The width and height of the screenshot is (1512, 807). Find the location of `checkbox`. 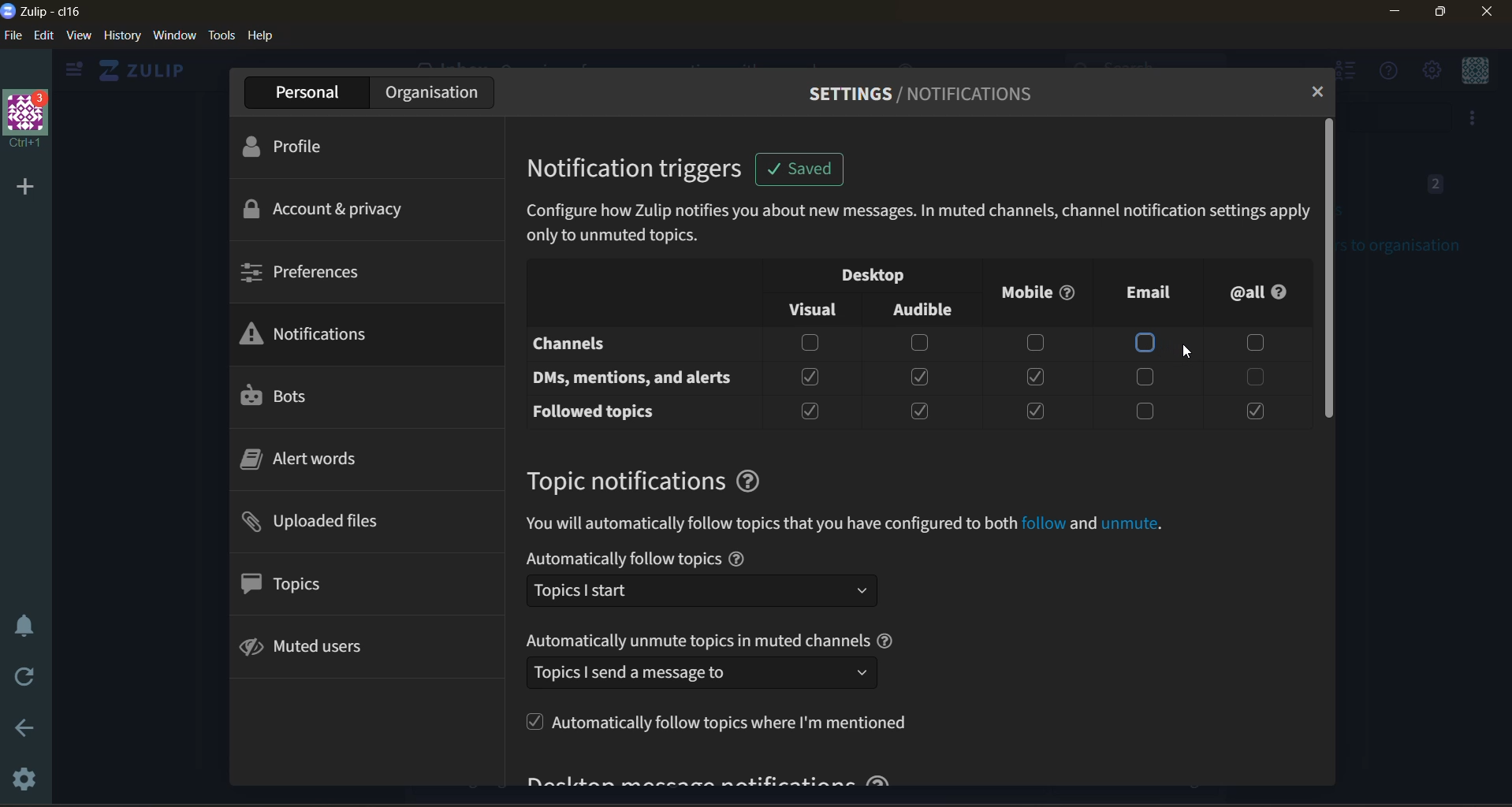

checkbox is located at coordinates (1035, 377).